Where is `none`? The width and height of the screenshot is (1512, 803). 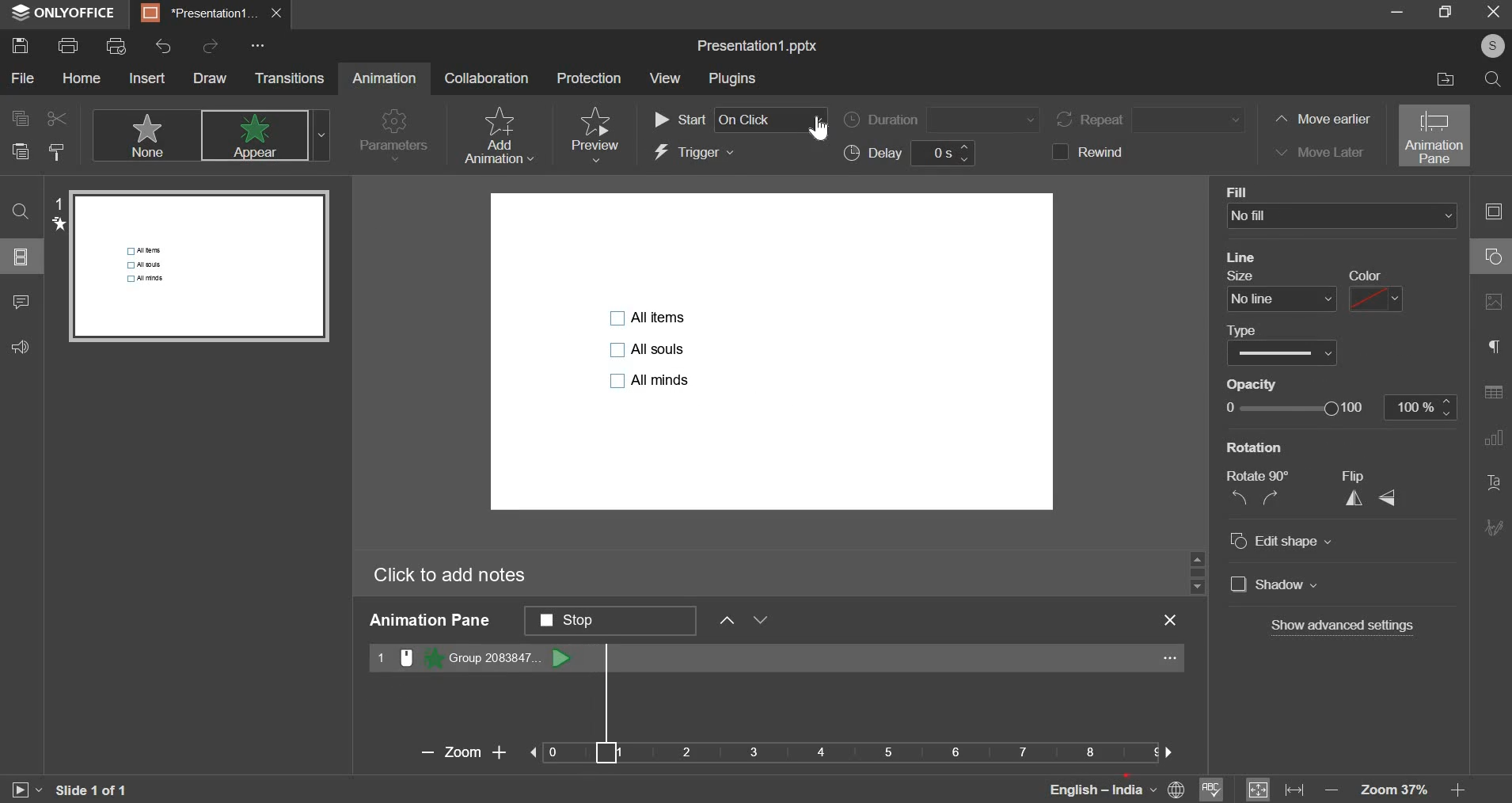
none is located at coordinates (145, 135).